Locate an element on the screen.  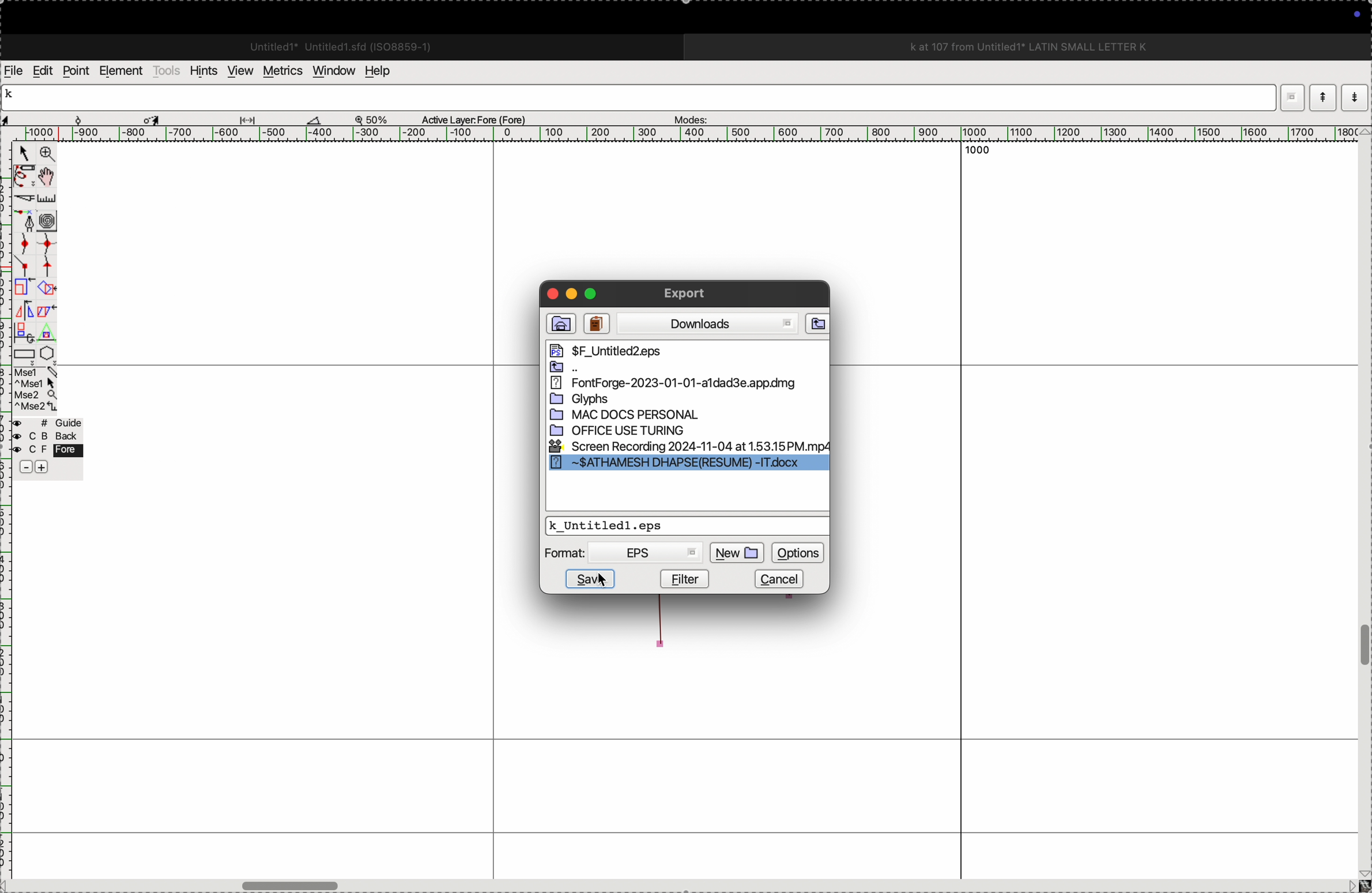
file is located at coordinates (14, 71).